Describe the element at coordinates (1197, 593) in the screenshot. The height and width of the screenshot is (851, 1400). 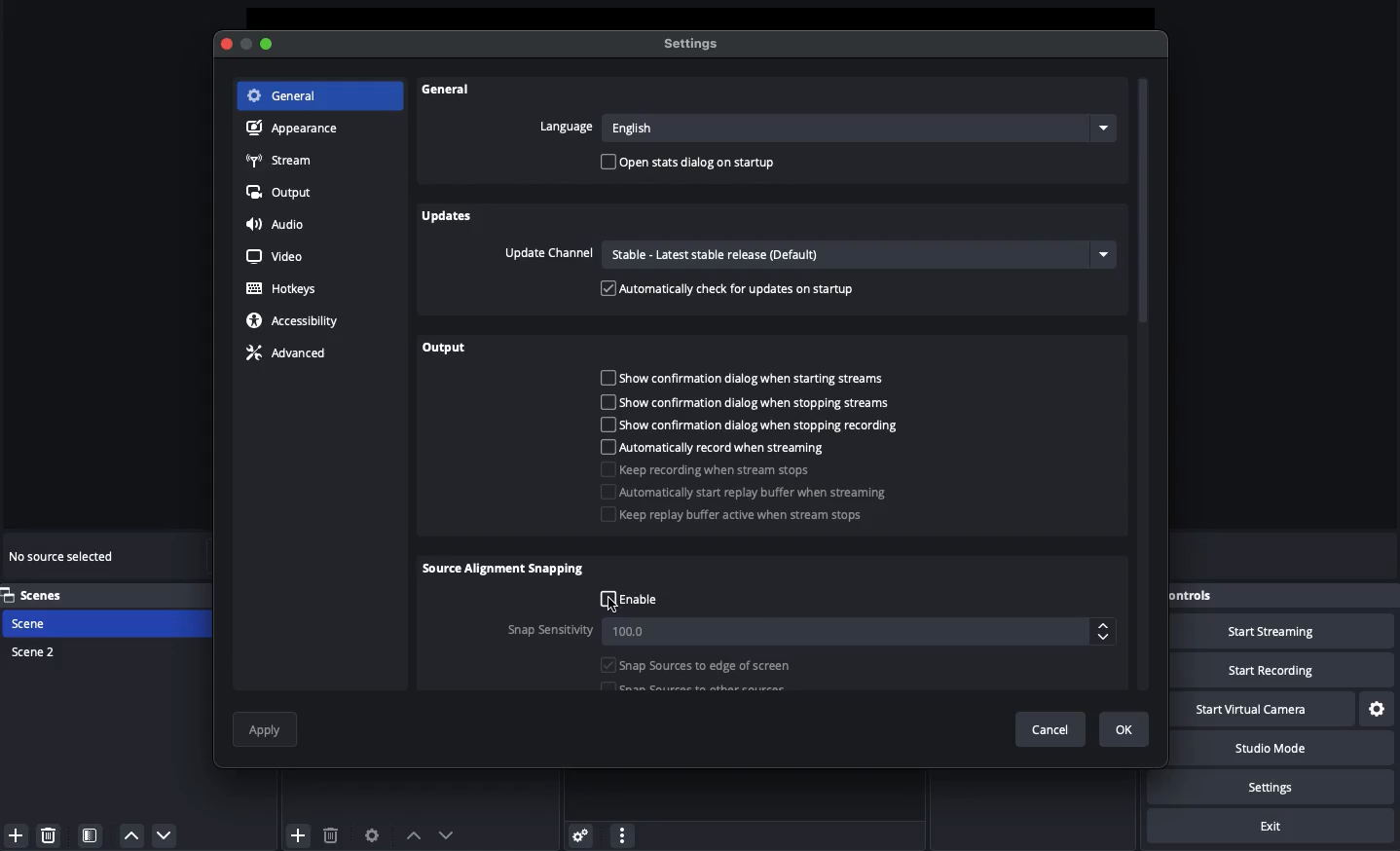
I see `Controls` at that location.